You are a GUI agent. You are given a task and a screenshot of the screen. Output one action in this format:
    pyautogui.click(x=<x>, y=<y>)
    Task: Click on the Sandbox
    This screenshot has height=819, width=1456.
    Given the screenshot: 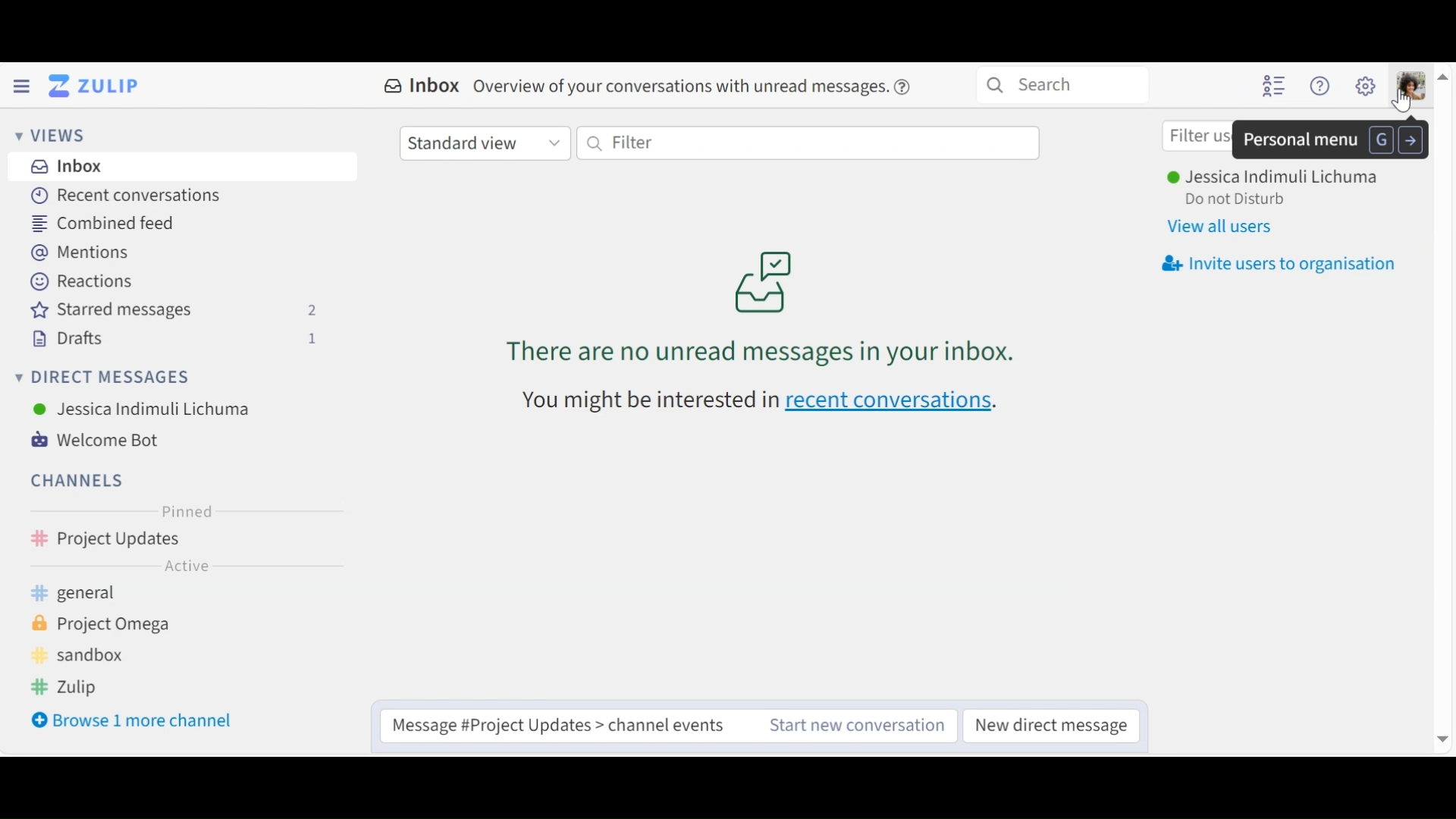 What is the action you would take?
    pyautogui.click(x=88, y=655)
    